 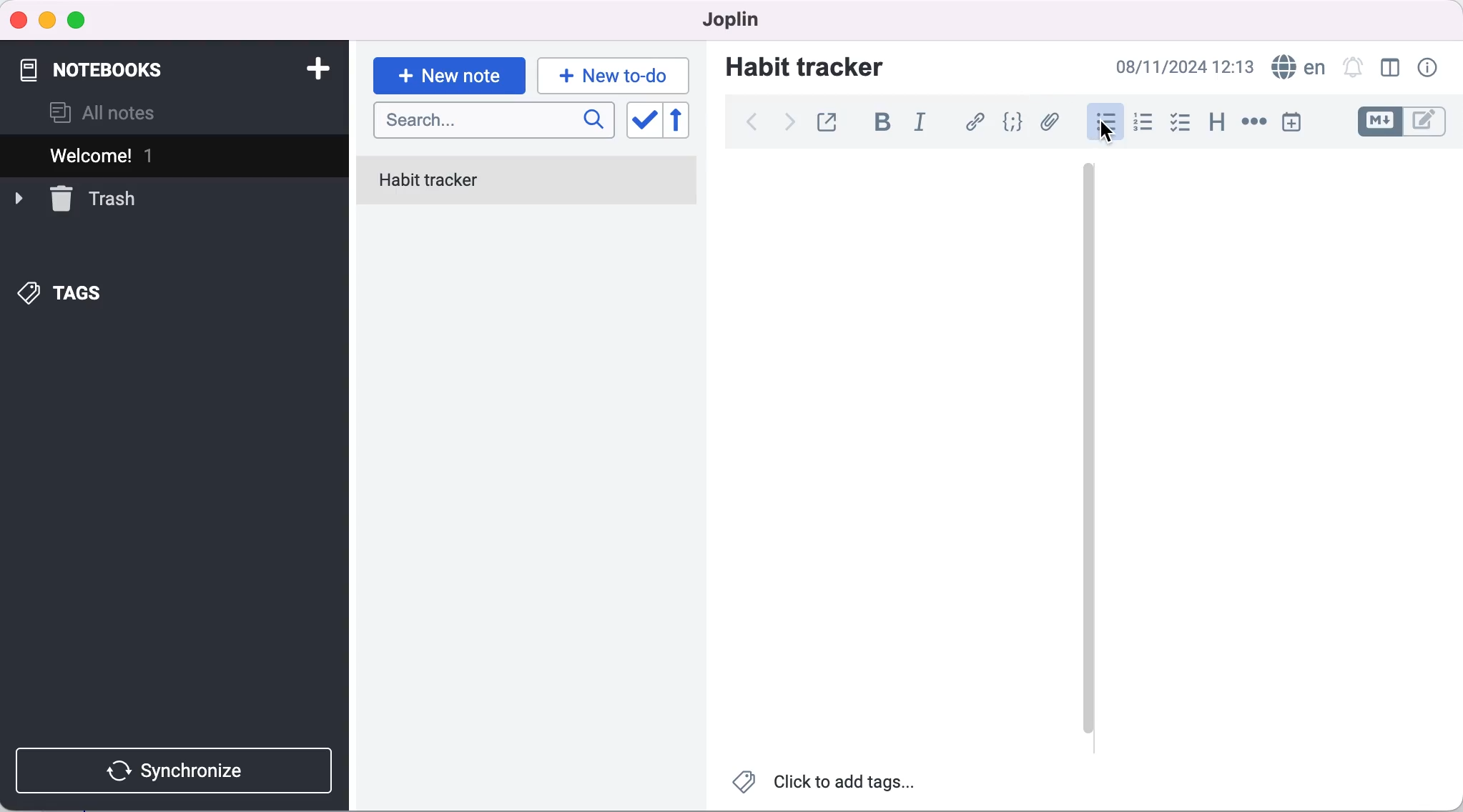 What do you see at coordinates (725, 19) in the screenshot?
I see `joplin` at bounding box center [725, 19].